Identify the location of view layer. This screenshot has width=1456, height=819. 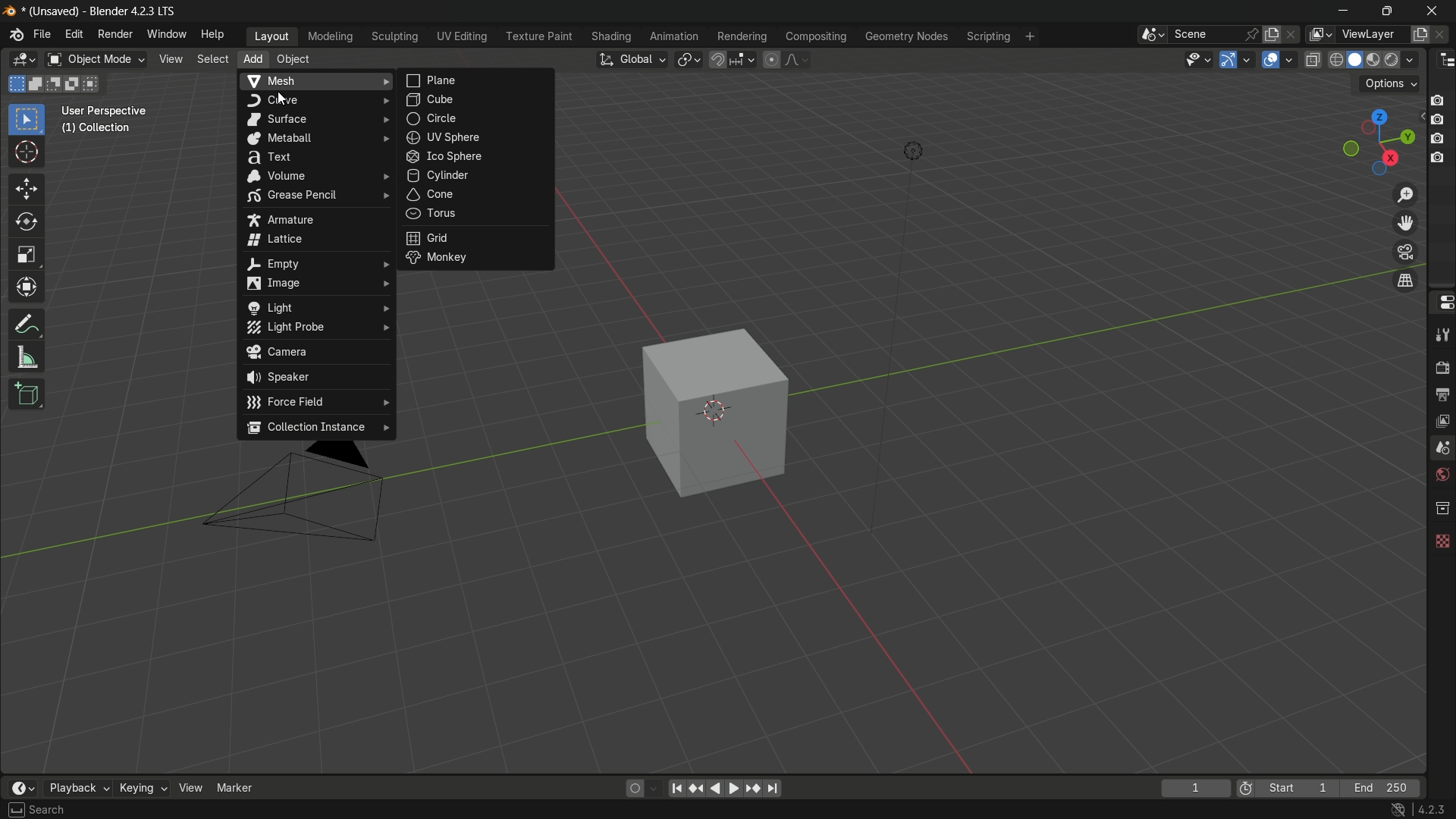
(1441, 421).